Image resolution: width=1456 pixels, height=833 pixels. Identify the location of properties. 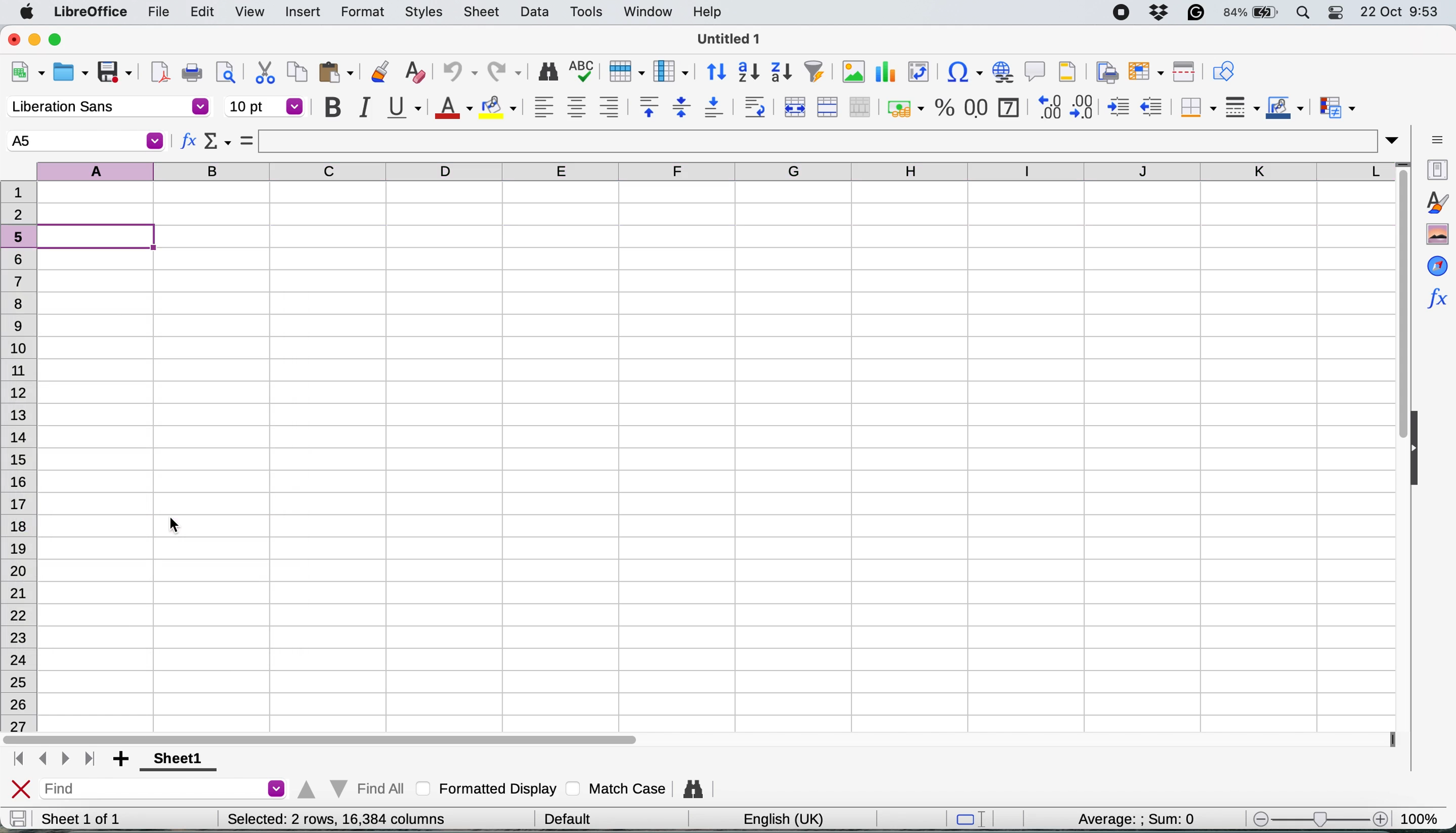
(1435, 168).